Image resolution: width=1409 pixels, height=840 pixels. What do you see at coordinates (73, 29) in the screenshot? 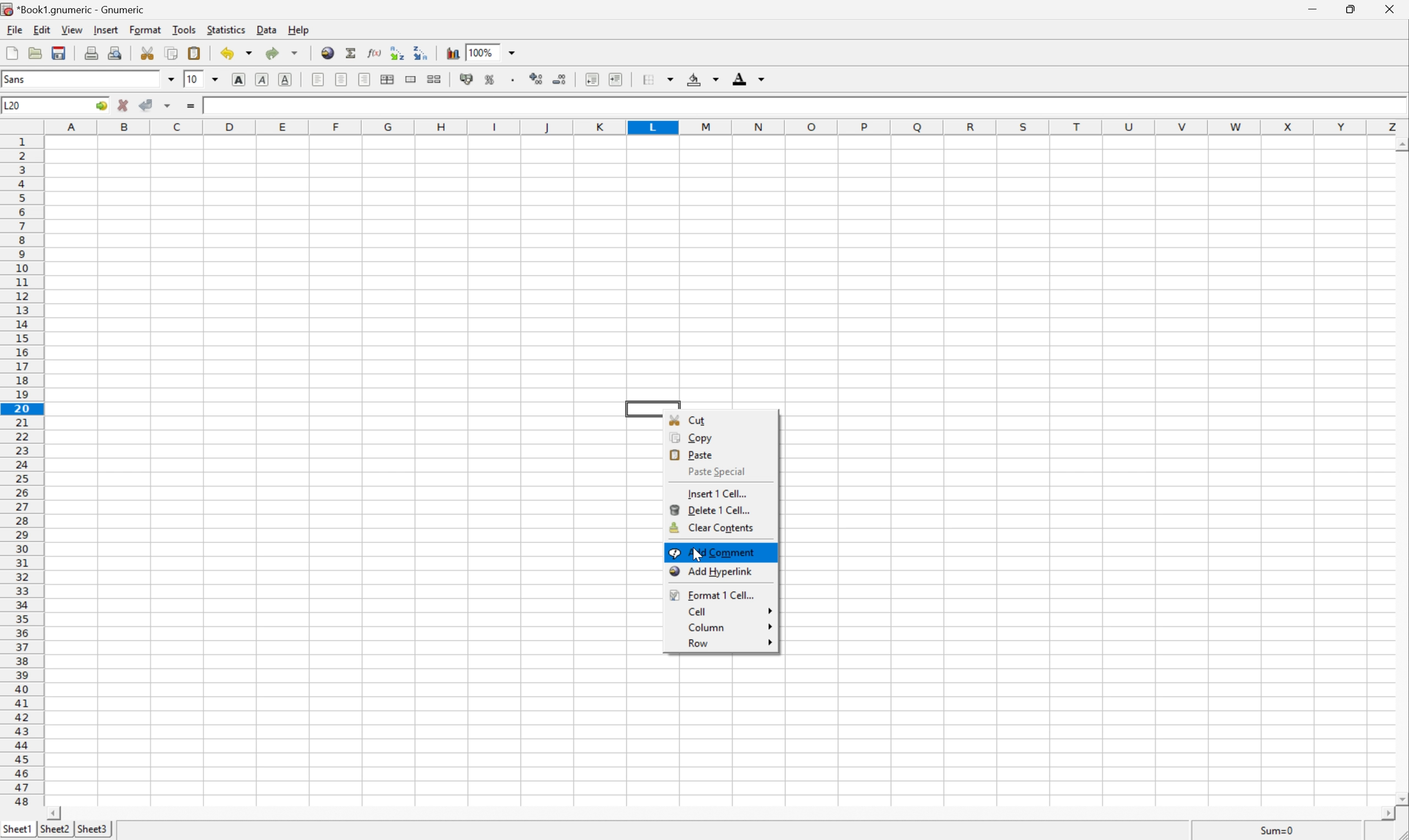
I see `View` at bounding box center [73, 29].